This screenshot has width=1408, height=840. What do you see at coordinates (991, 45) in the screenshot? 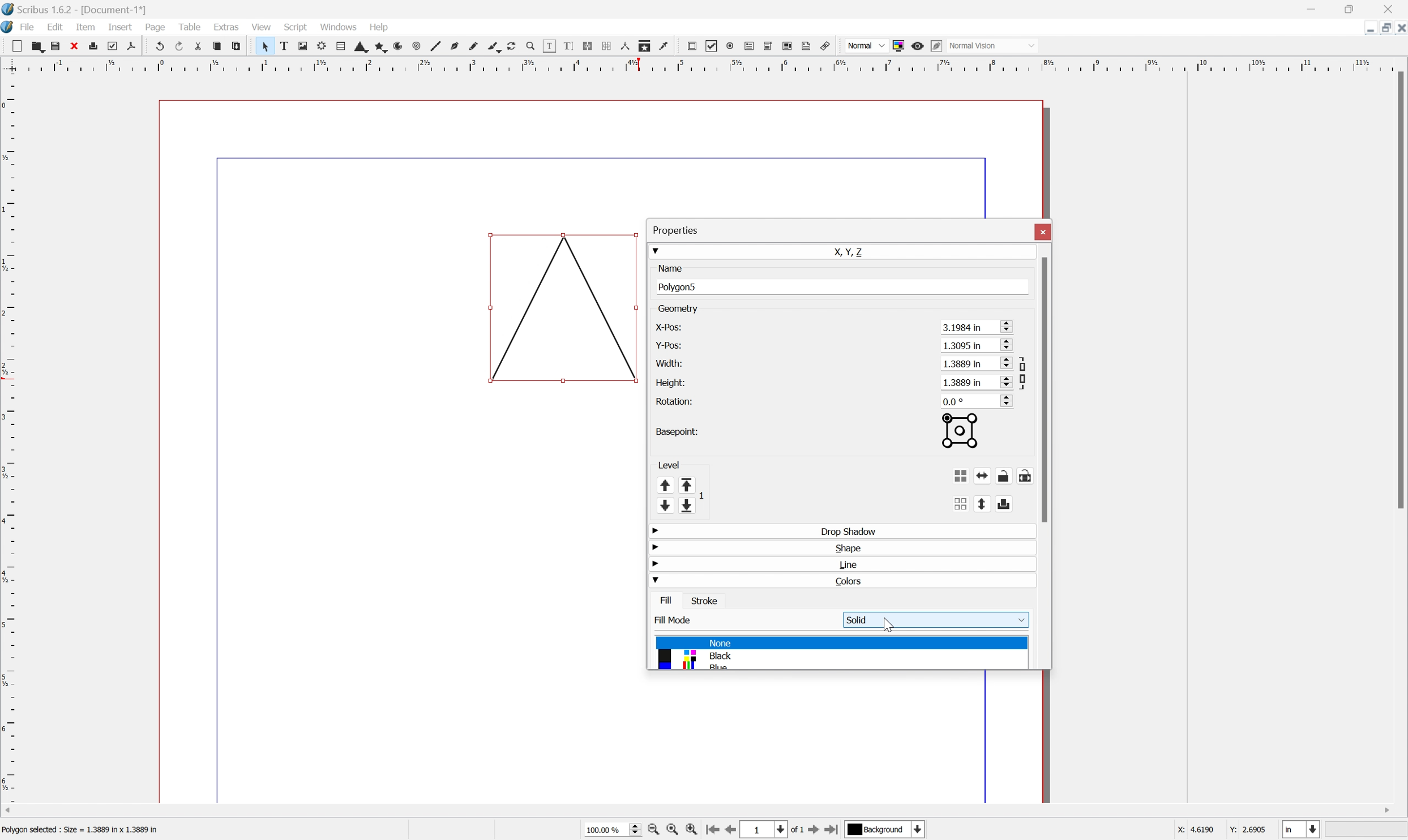
I see `Normal Vision` at bounding box center [991, 45].